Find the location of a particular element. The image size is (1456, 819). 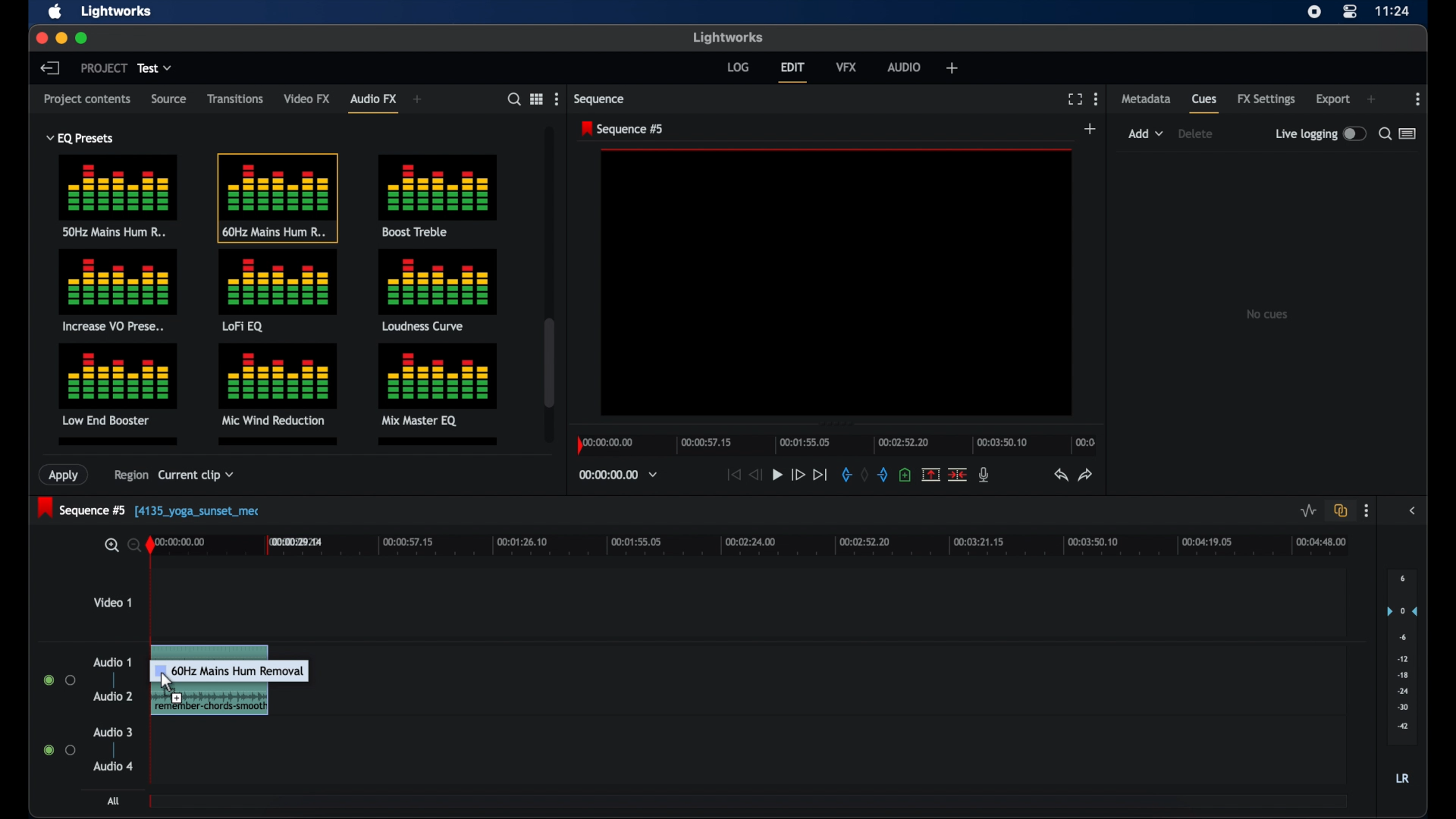

sequence is located at coordinates (599, 99).